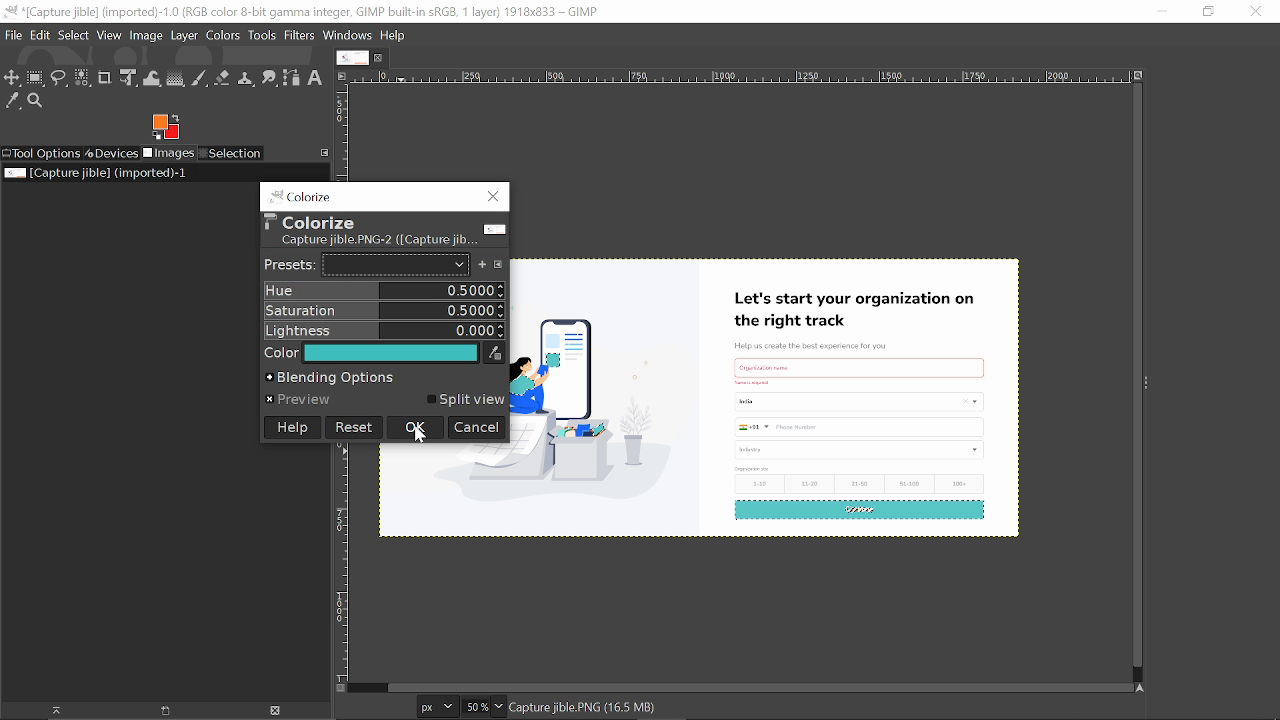  Describe the element at coordinates (13, 102) in the screenshot. I see `Color picker tool` at that location.